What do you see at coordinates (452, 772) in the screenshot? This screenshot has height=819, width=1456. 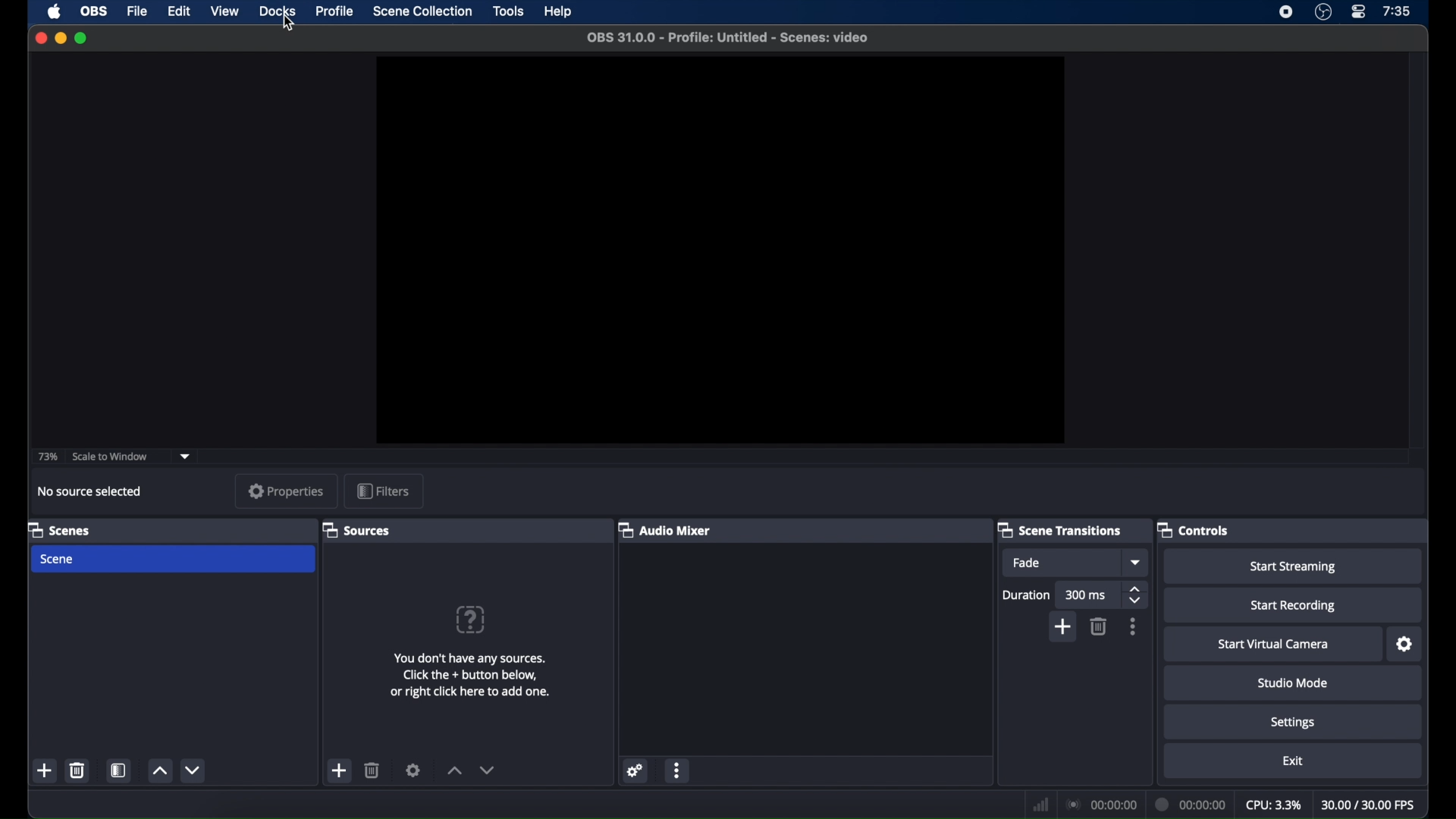 I see `increment` at bounding box center [452, 772].